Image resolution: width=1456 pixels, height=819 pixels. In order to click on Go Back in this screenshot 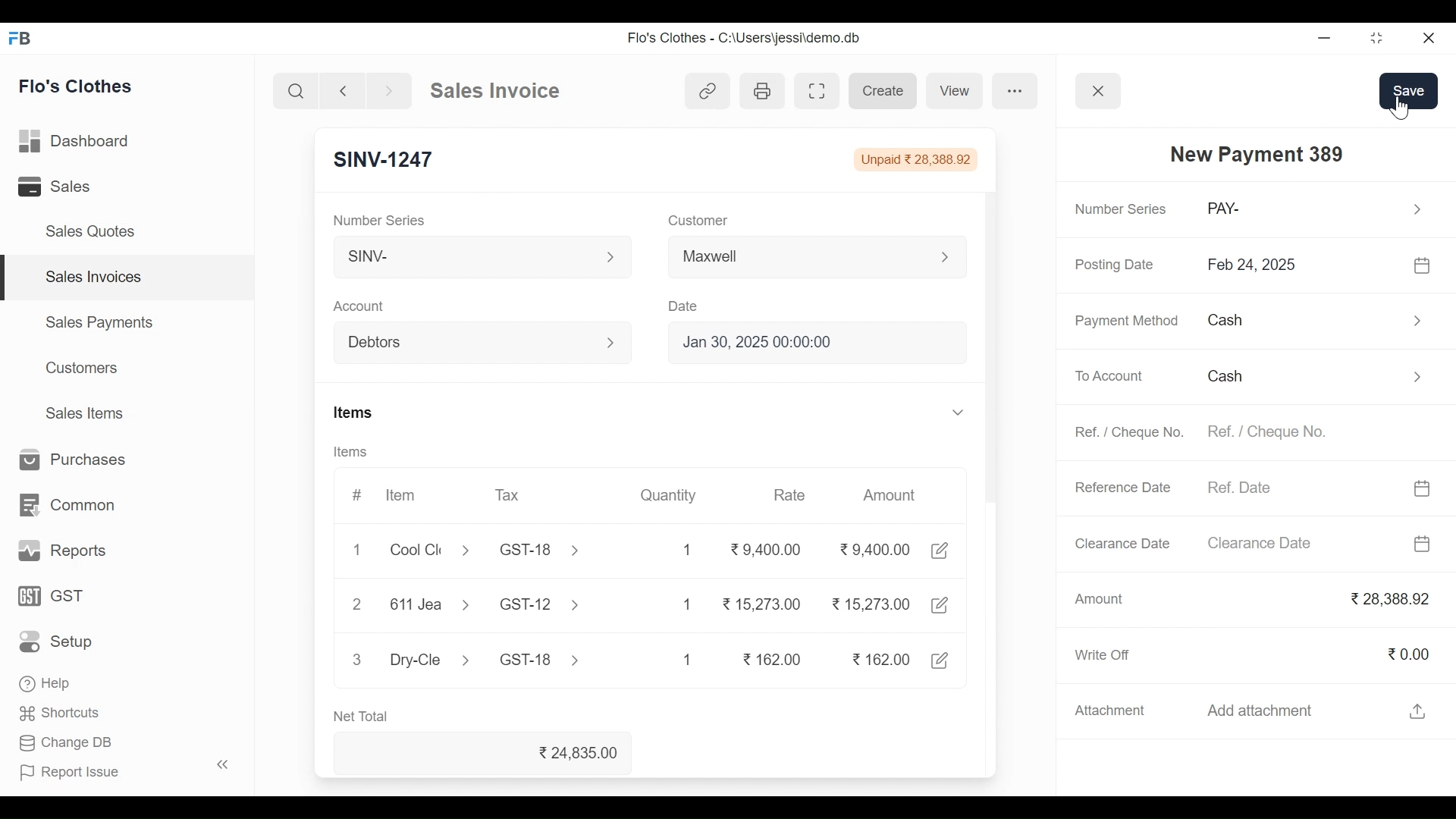, I will do `click(343, 91)`.